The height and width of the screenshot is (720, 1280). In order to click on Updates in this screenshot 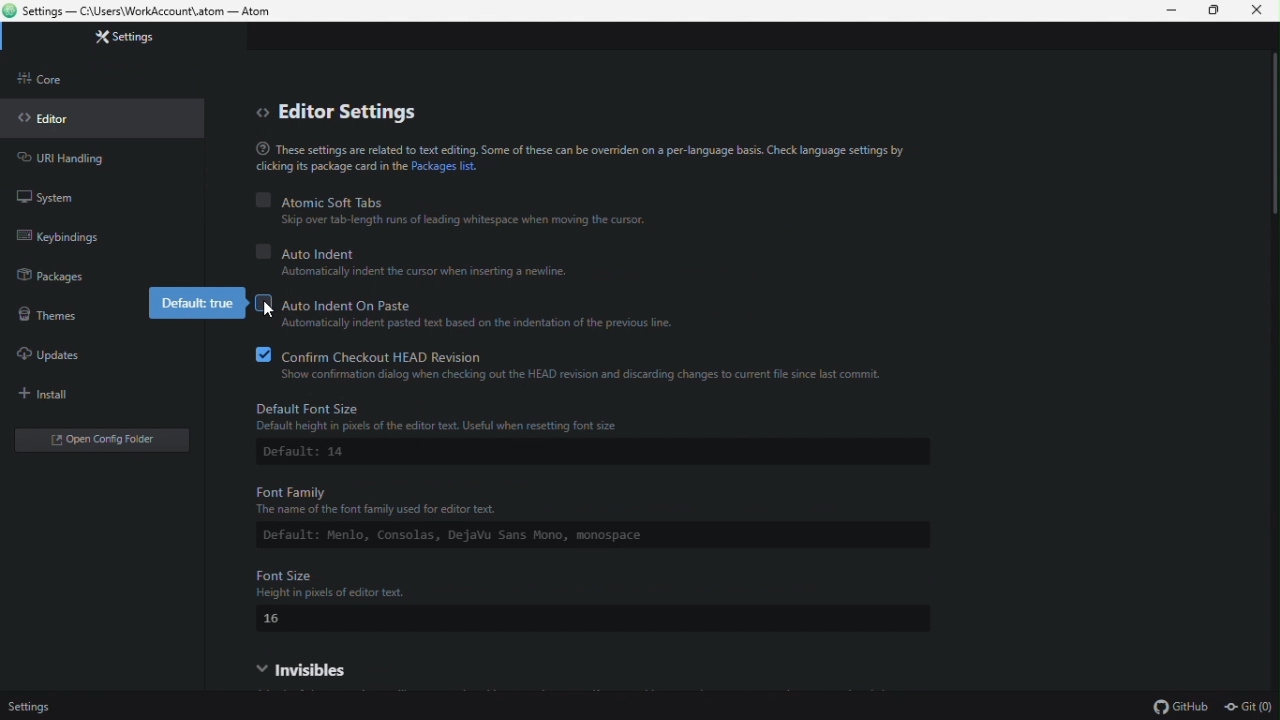, I will do `click(55, 354)`.